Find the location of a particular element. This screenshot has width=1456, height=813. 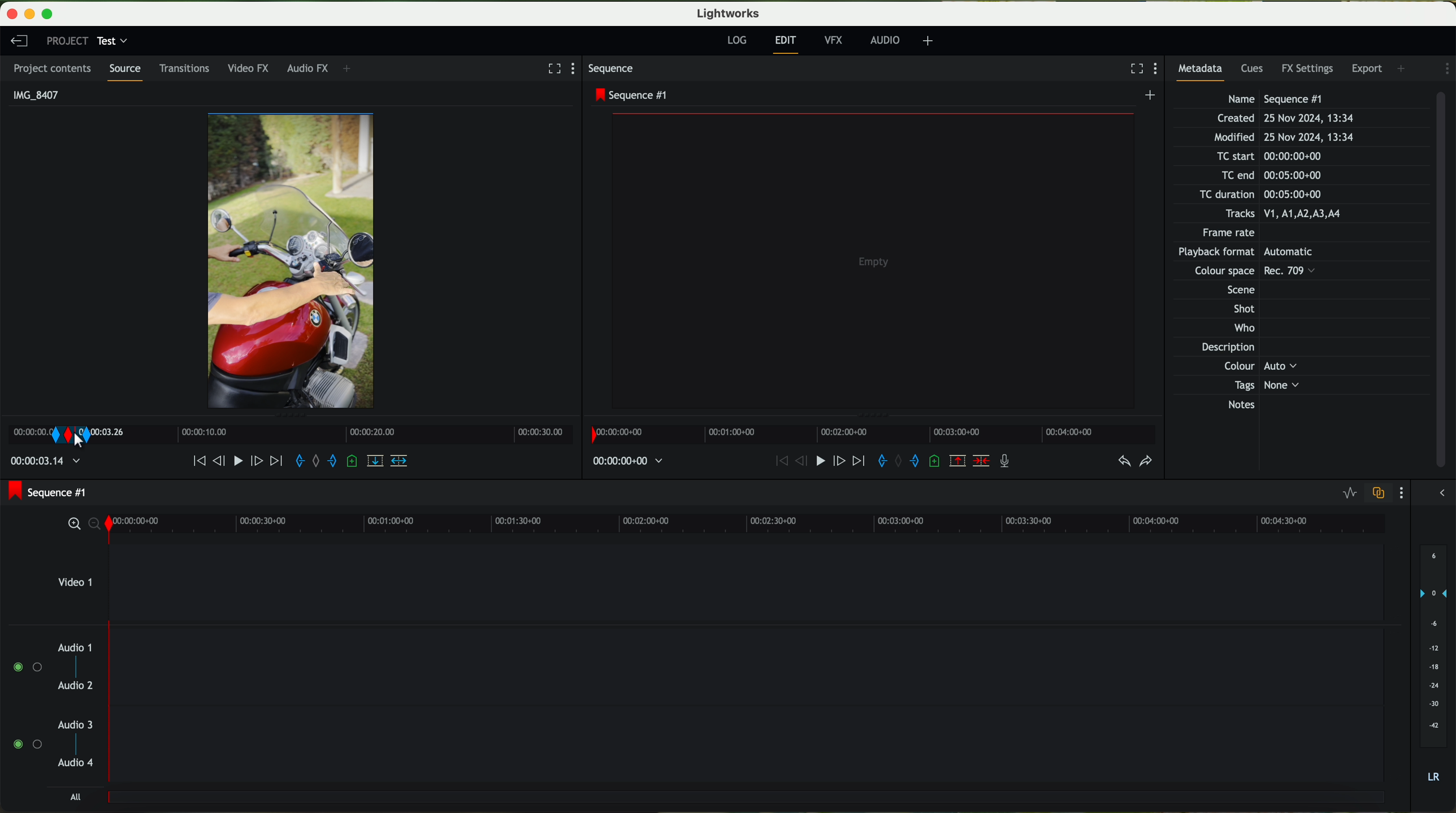

add an in mark is located at coordinates (877, 461).